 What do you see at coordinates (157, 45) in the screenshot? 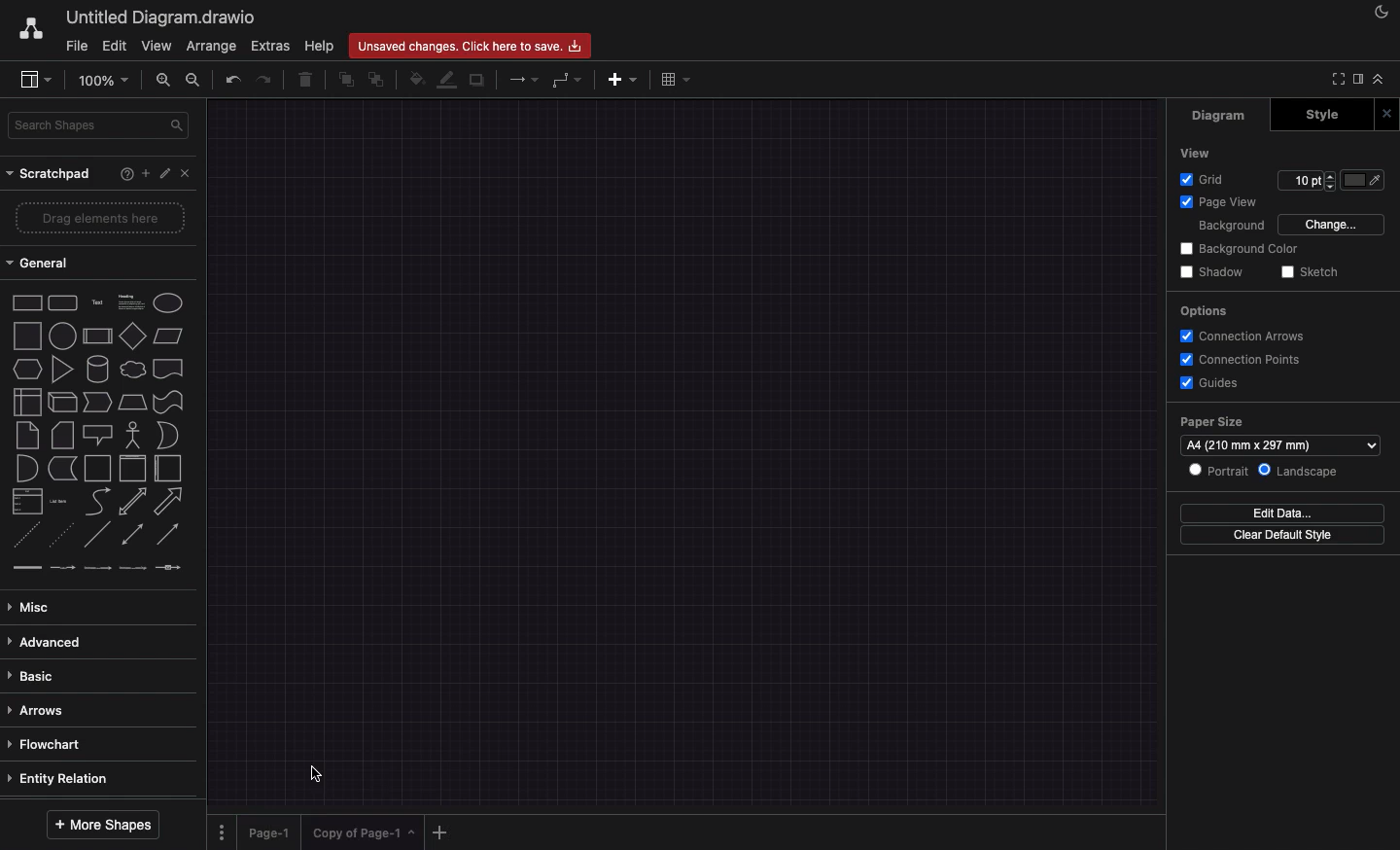
I see `view` at bounding box center [157, 45].